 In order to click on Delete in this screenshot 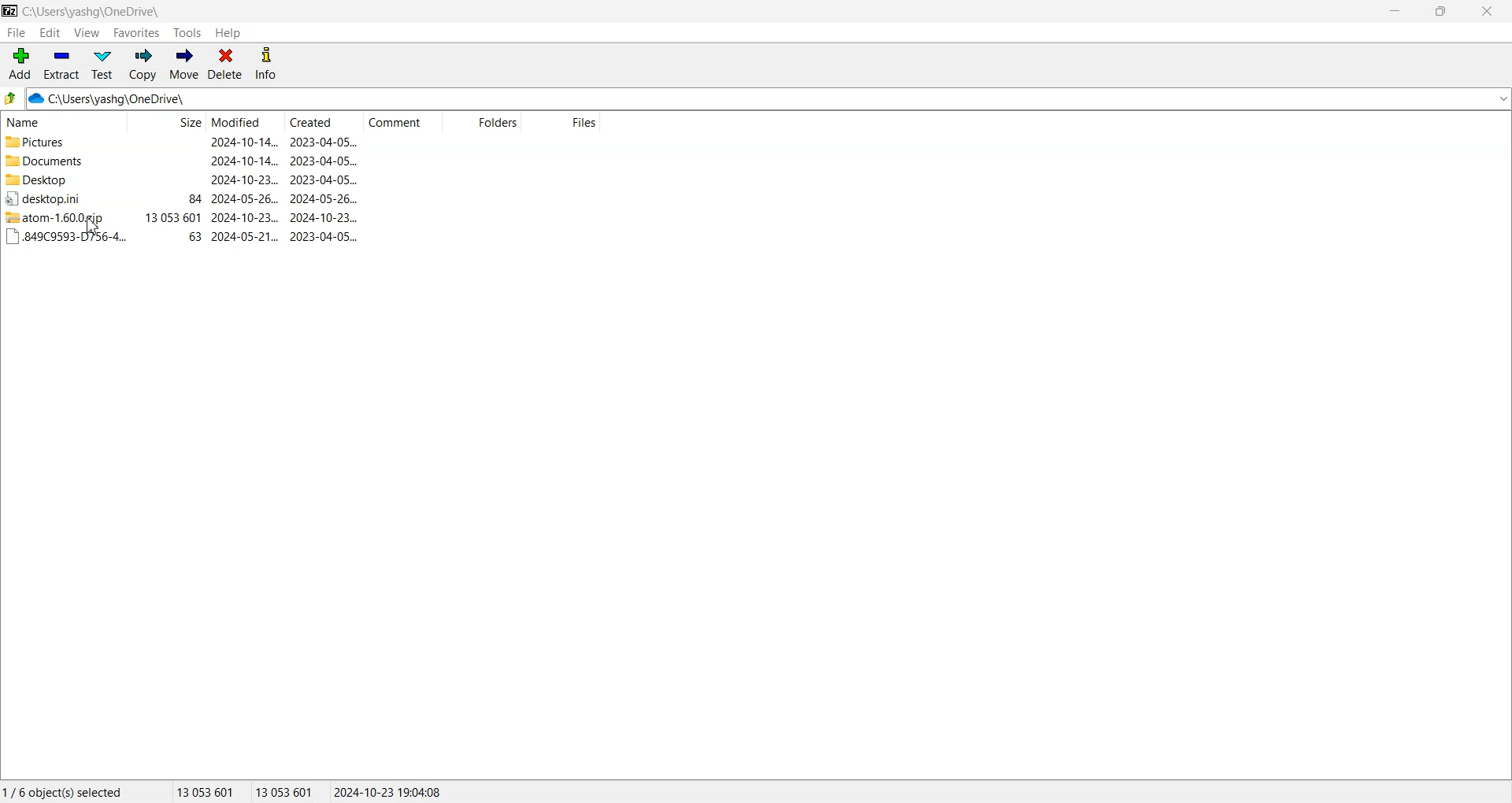, I will do `click(225, 65)`.